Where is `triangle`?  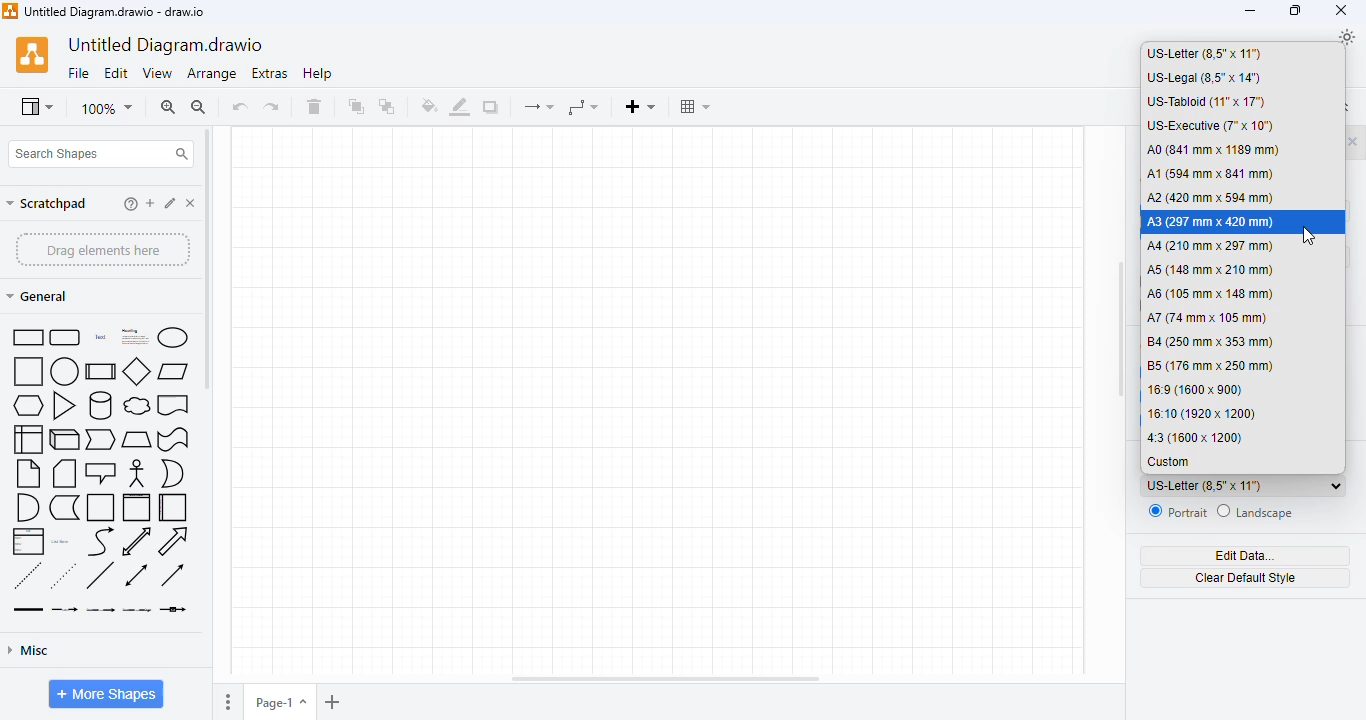
triangle is located at coordinates (64, 405).